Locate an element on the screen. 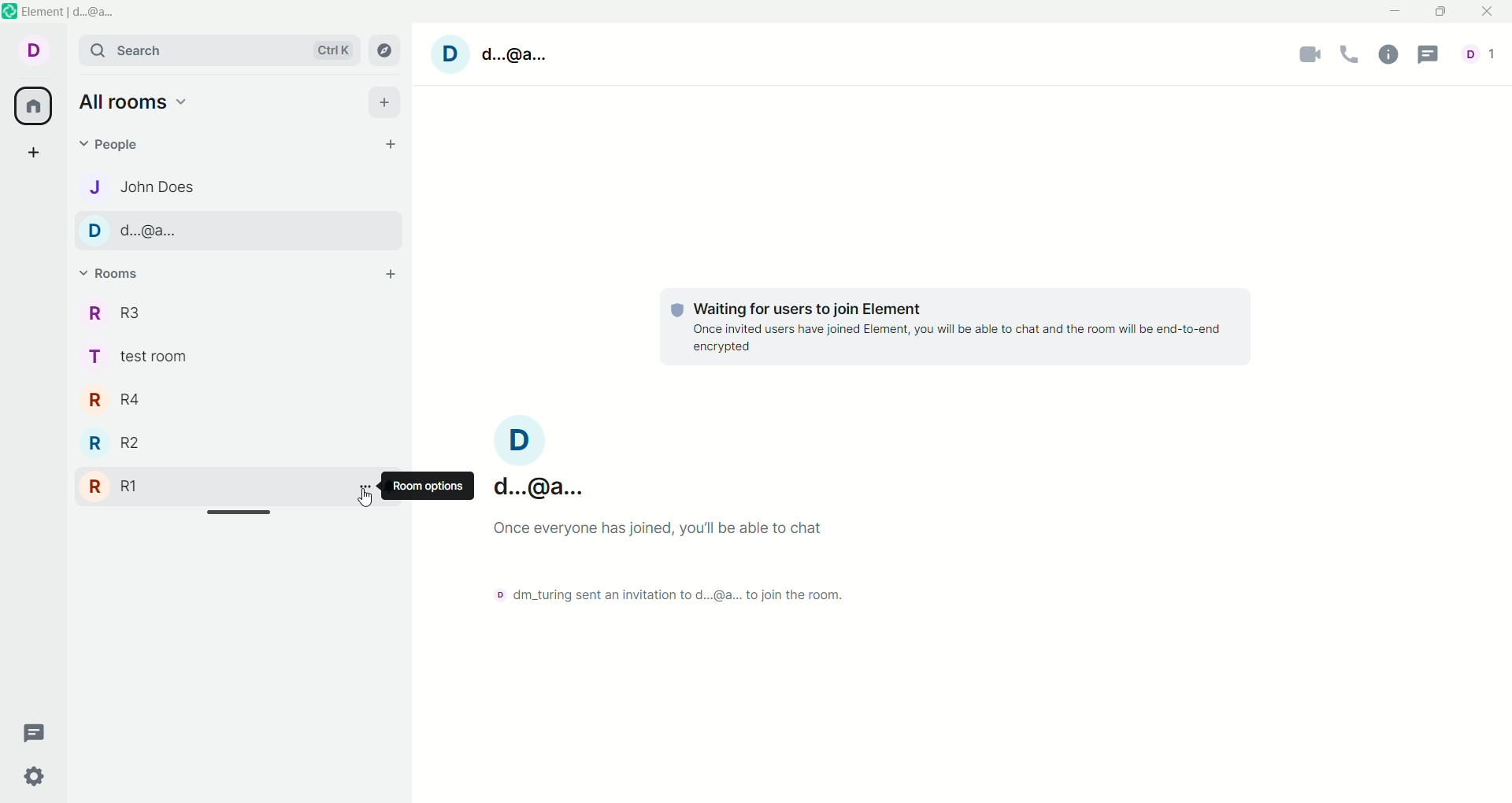  element logo is located at coordinates (10, 13).